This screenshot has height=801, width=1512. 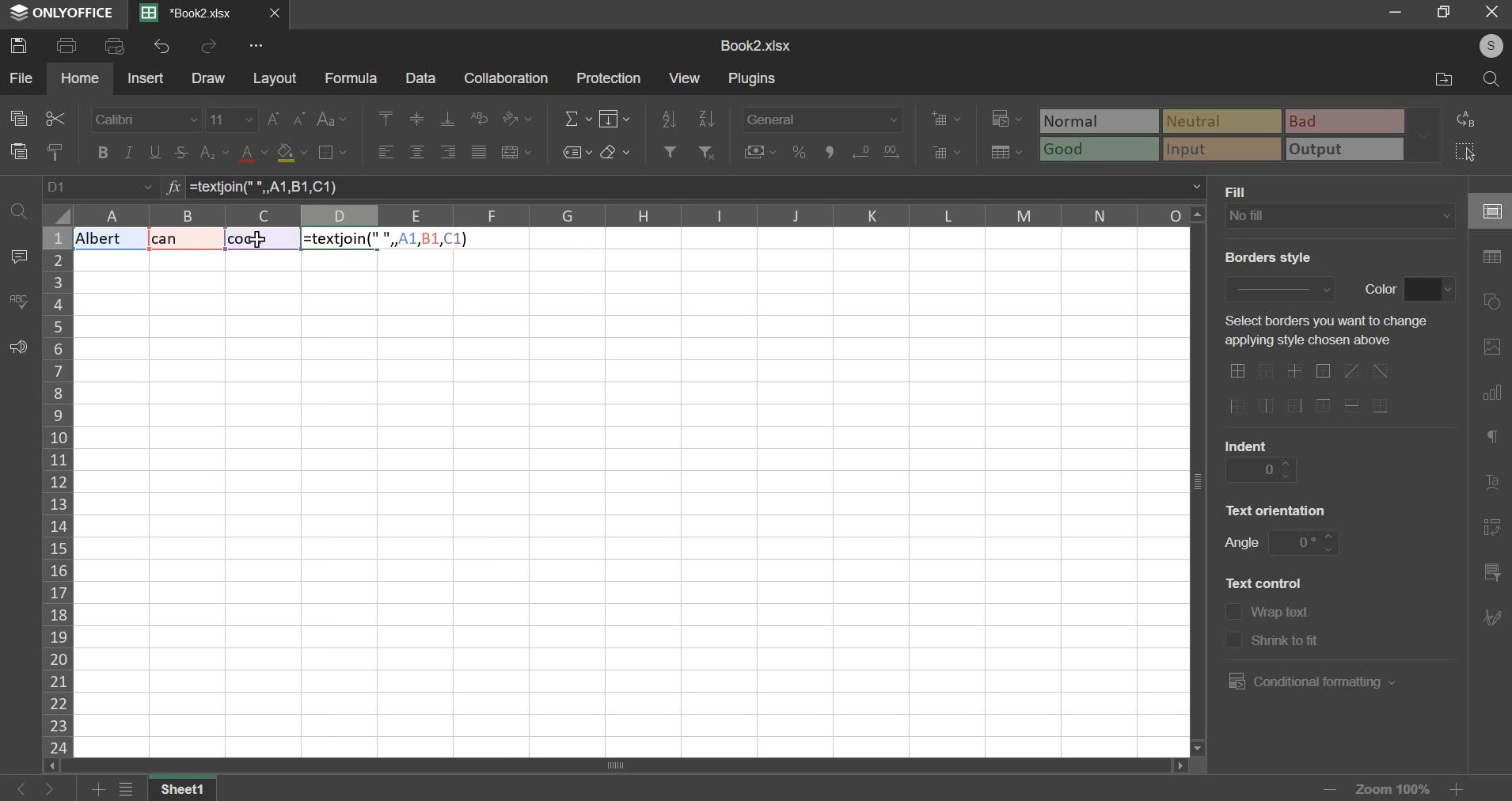 I want to click on layout, so click(x=275, y=79).